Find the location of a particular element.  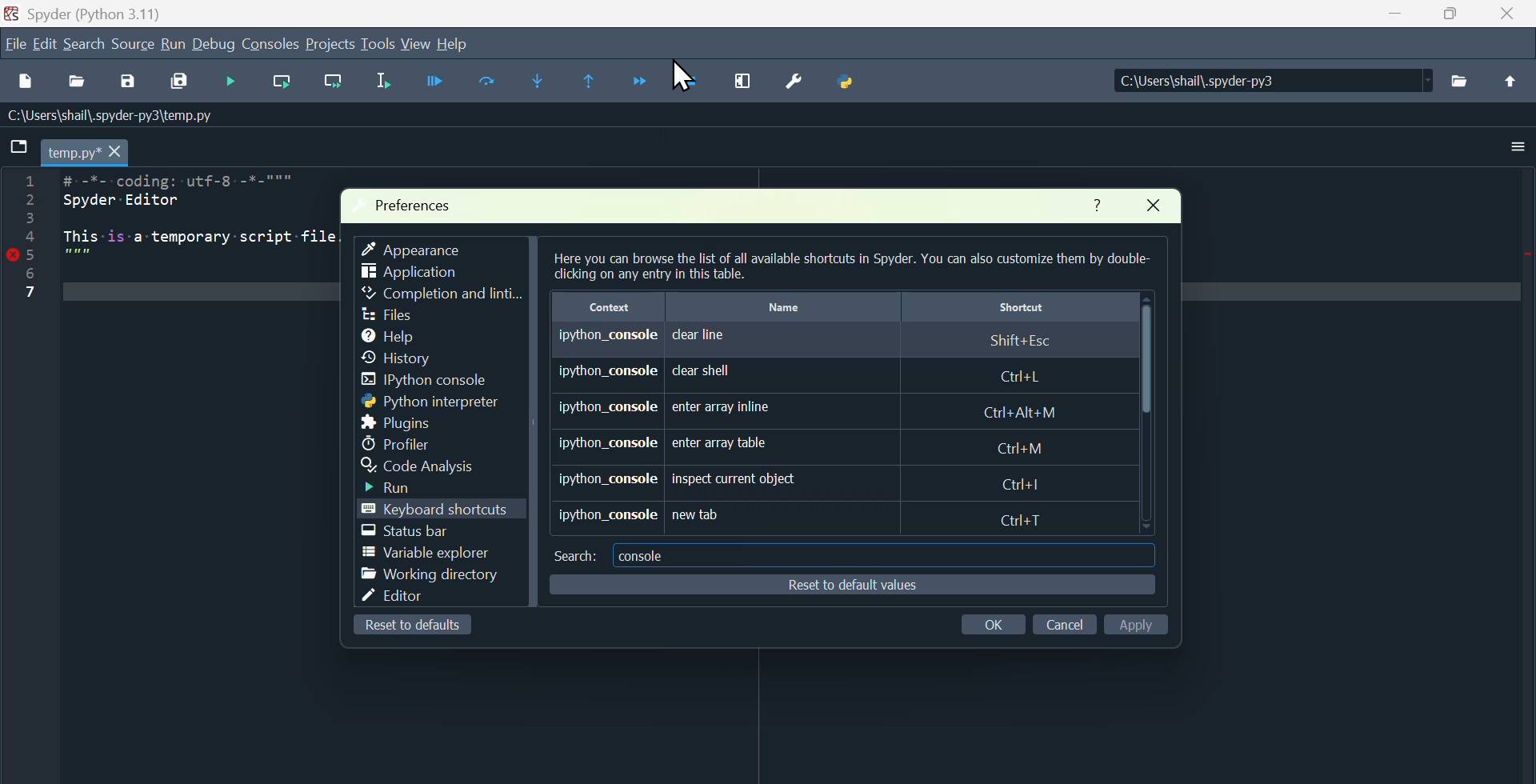

Reset to default is located at coordinates (404, 627).